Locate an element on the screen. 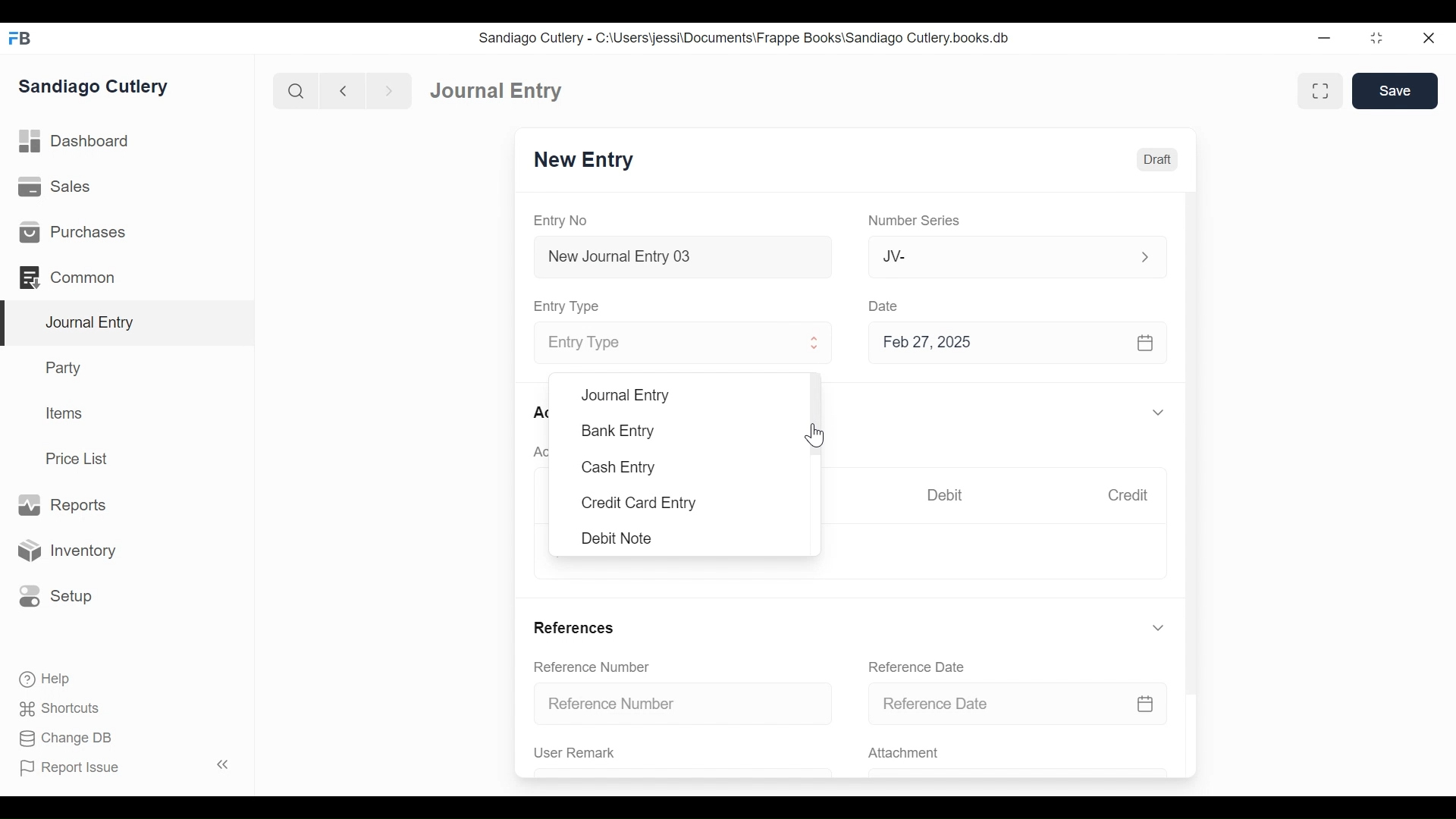 The image size is (1456, 819). Save is located at coordinates (1397, 91).